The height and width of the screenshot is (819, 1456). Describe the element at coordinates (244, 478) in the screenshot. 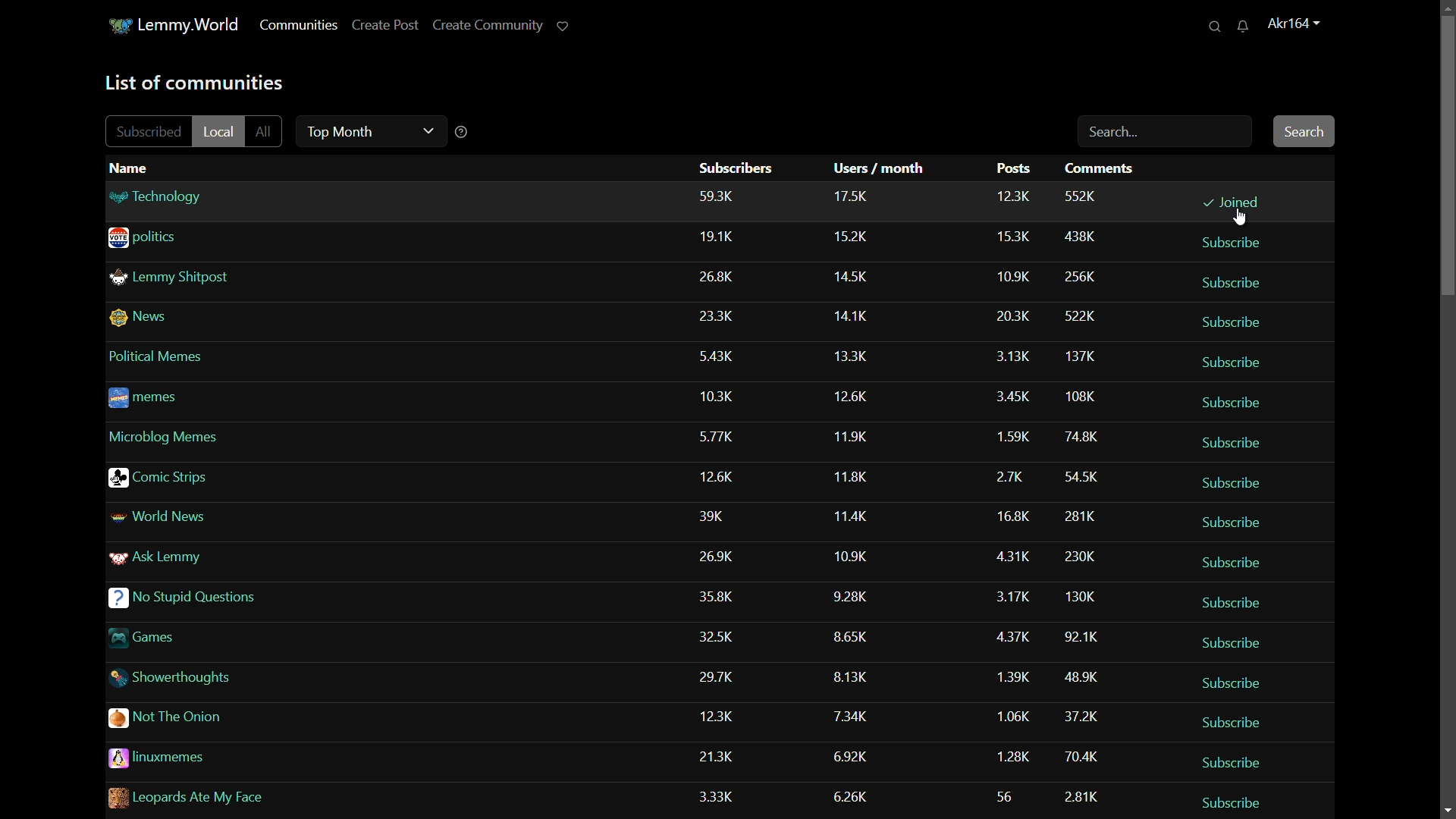

I see `communities name` at that location.